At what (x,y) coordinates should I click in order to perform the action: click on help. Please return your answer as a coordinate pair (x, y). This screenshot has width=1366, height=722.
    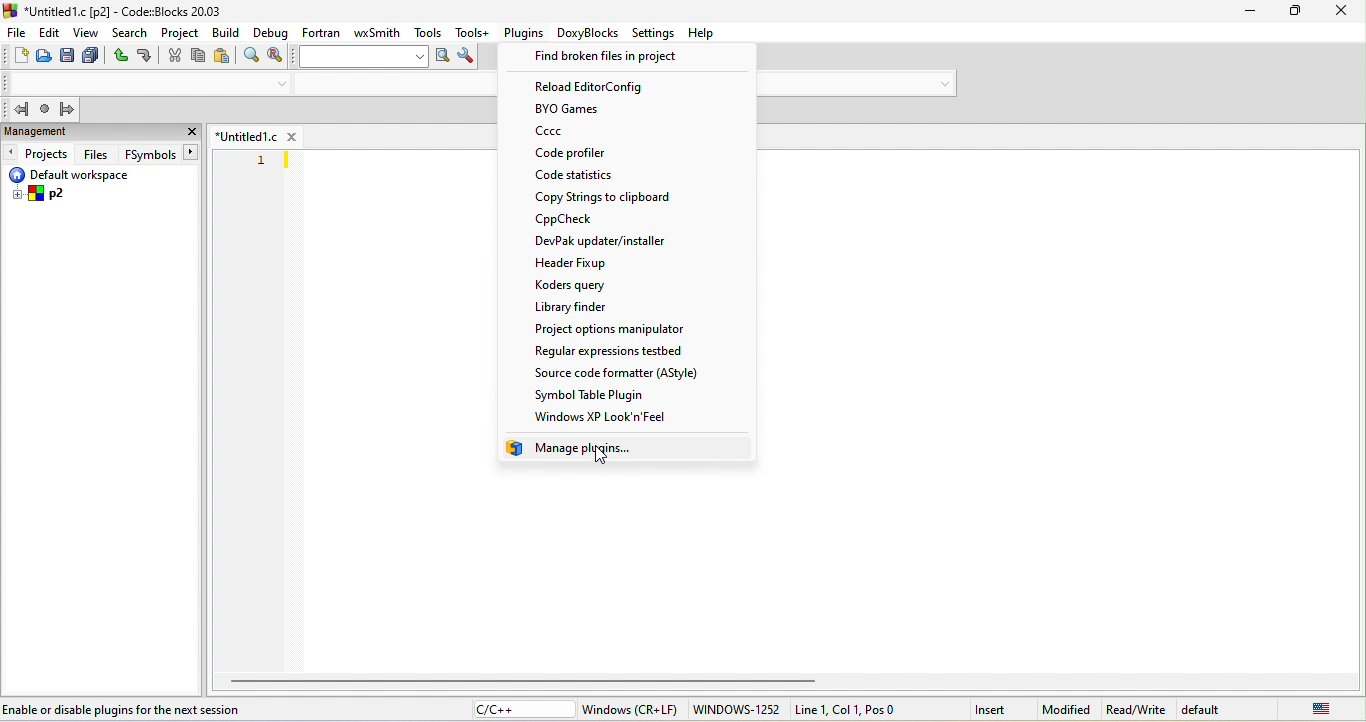
    Looking at the image, I should click on (701, 32).